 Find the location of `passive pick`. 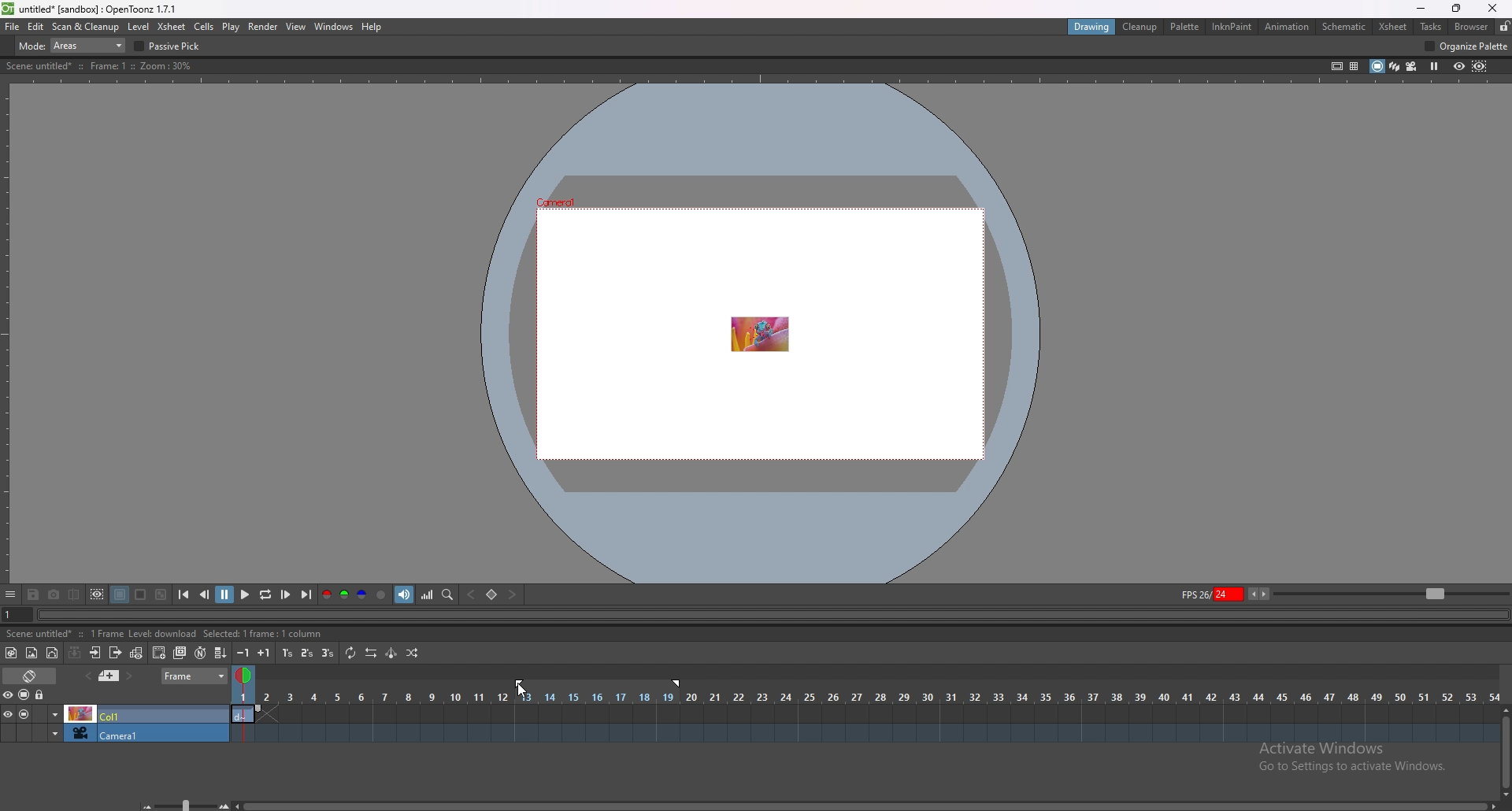

passive pick is located at coordinates (170, 46).